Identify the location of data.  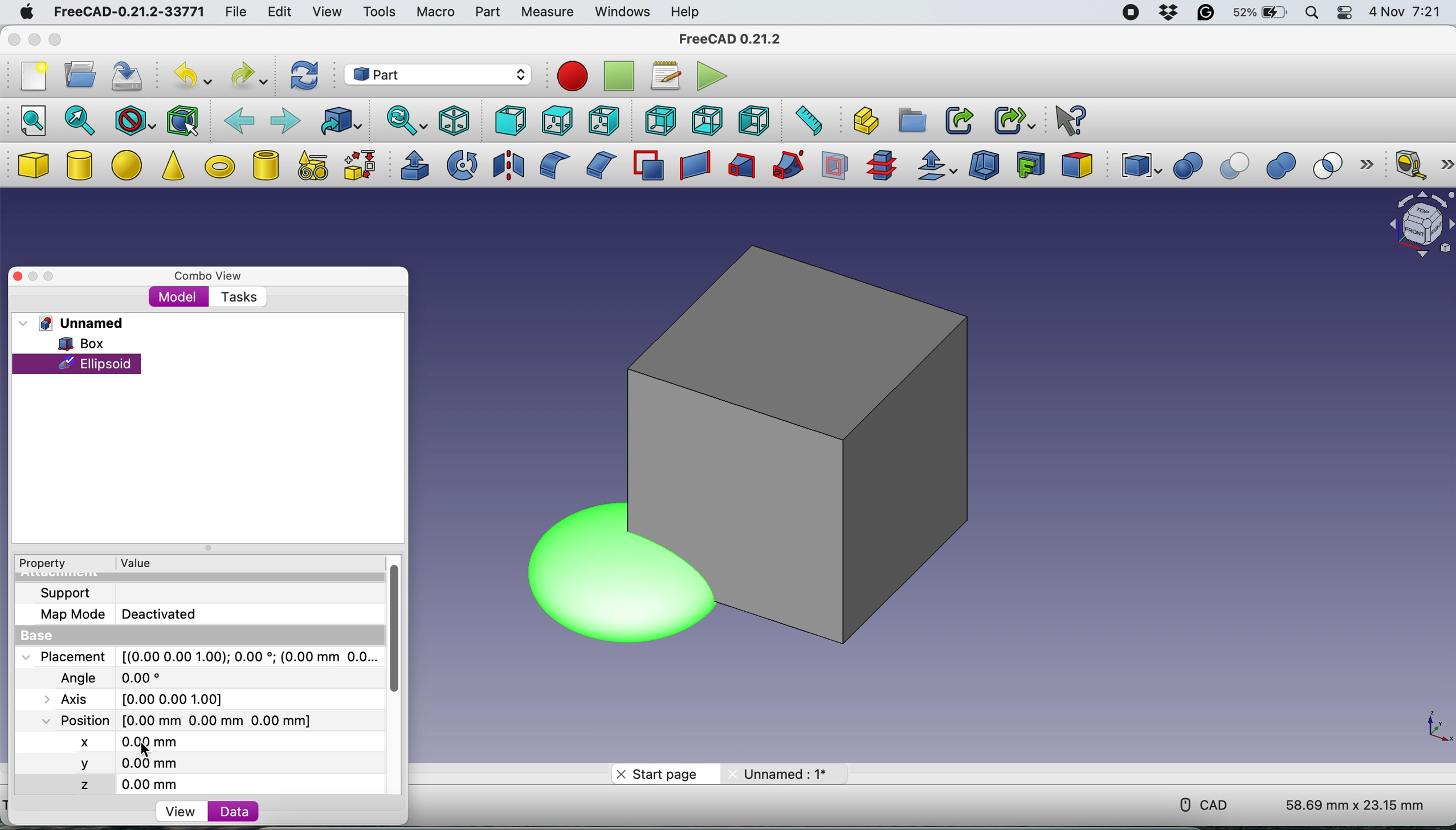
(227, 811).